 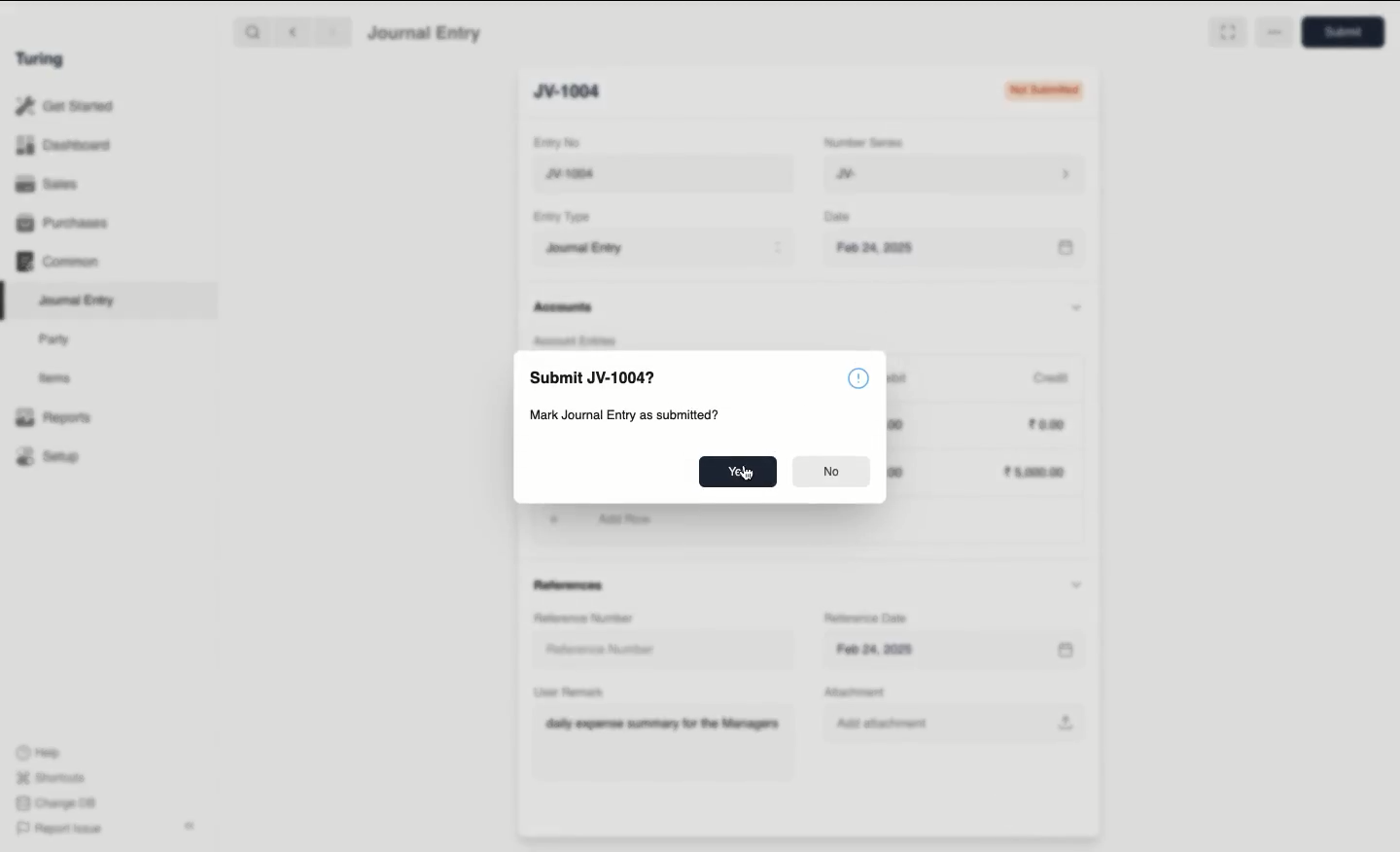 I want to click on Submit JV-1004?, so click(x=591, y=377).